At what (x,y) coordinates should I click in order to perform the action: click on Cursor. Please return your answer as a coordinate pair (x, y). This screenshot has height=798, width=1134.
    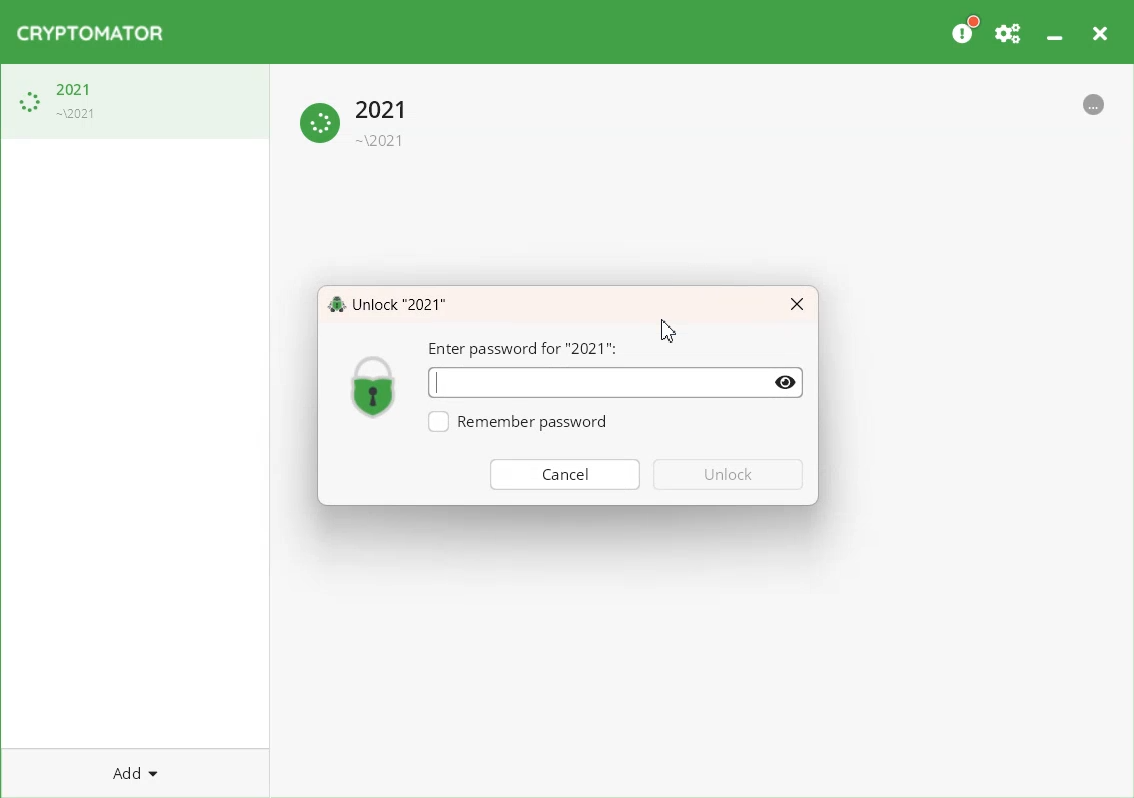
    Looking at the image, I should click on (669, 332).